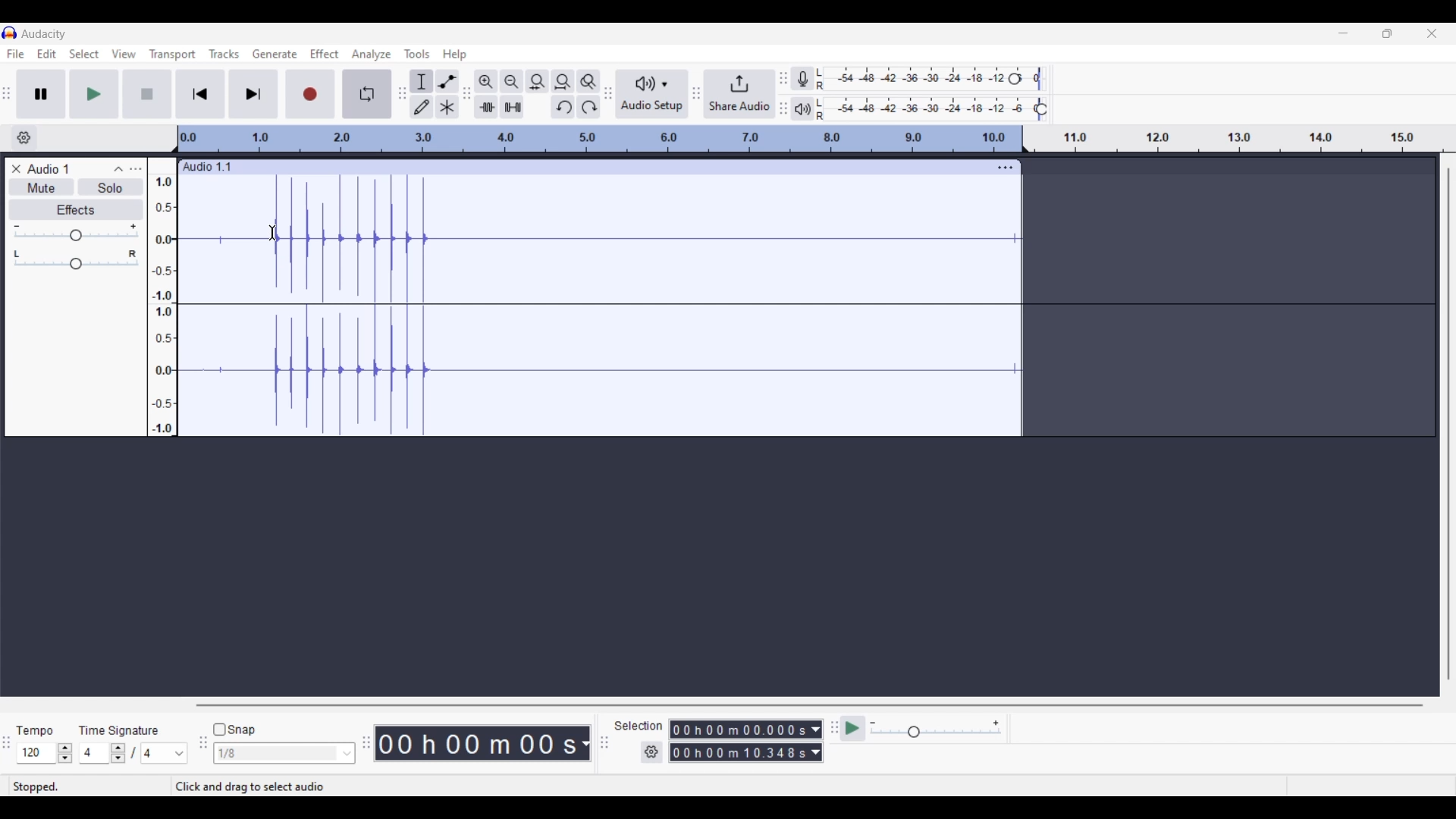 This screenshot has width=1456, height=819. Describe the element at coordinates (738, 741) in the screenshot. I see `Selection duration` at that location.